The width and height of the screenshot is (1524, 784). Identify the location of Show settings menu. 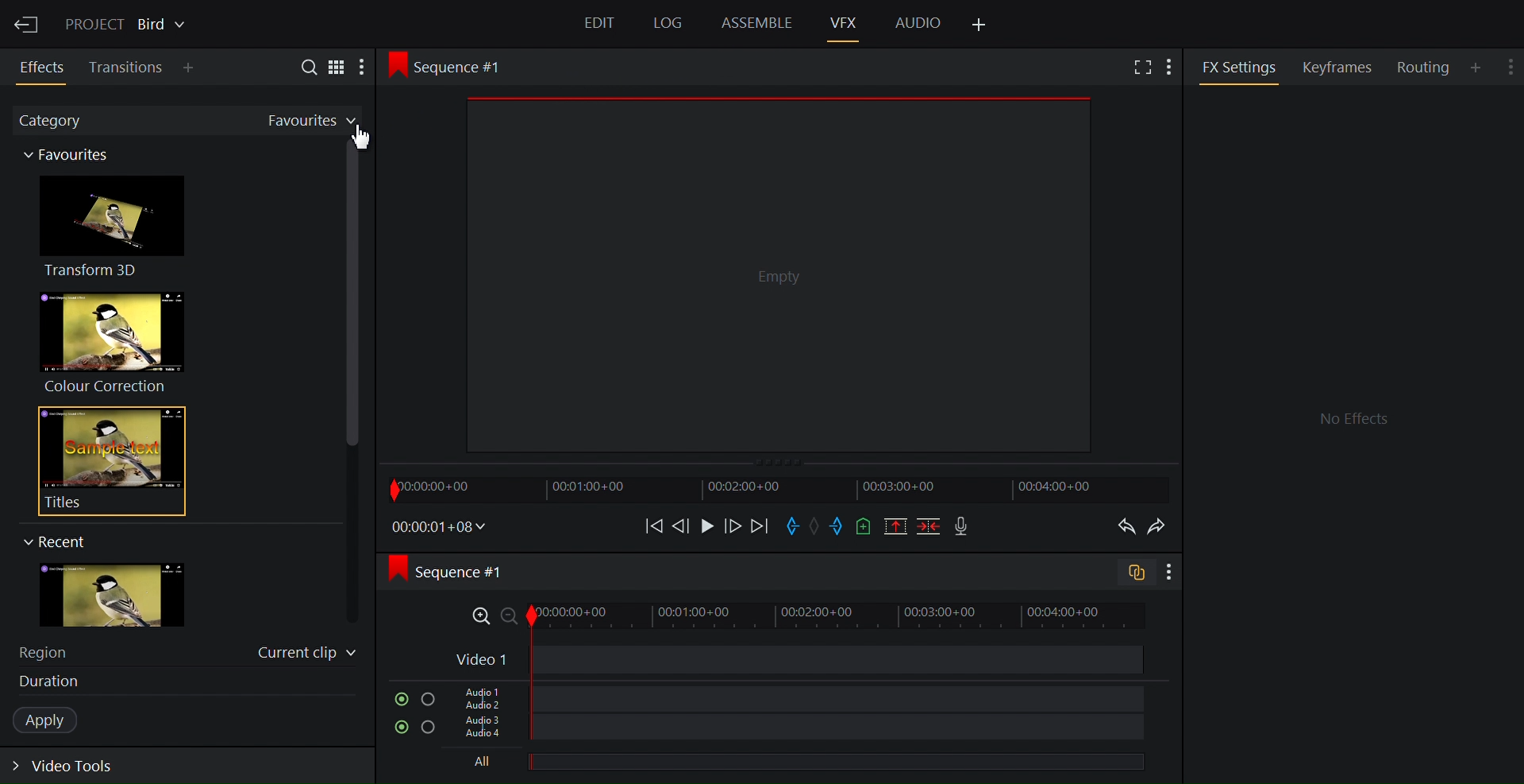
(1168, 573).